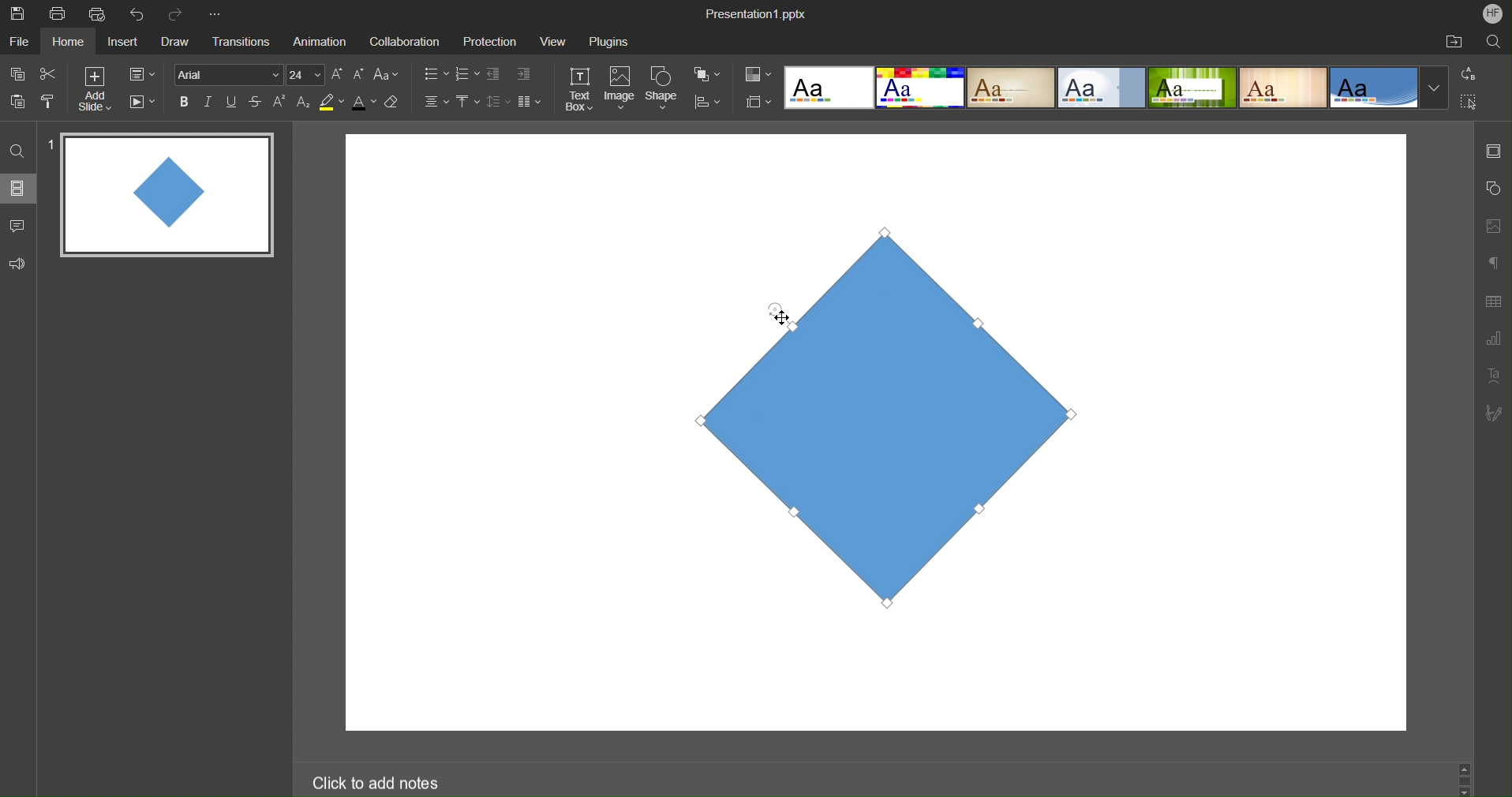 The width and height of the screenshot is (1512, 797). I want to click on Colors, so click(757, 73).